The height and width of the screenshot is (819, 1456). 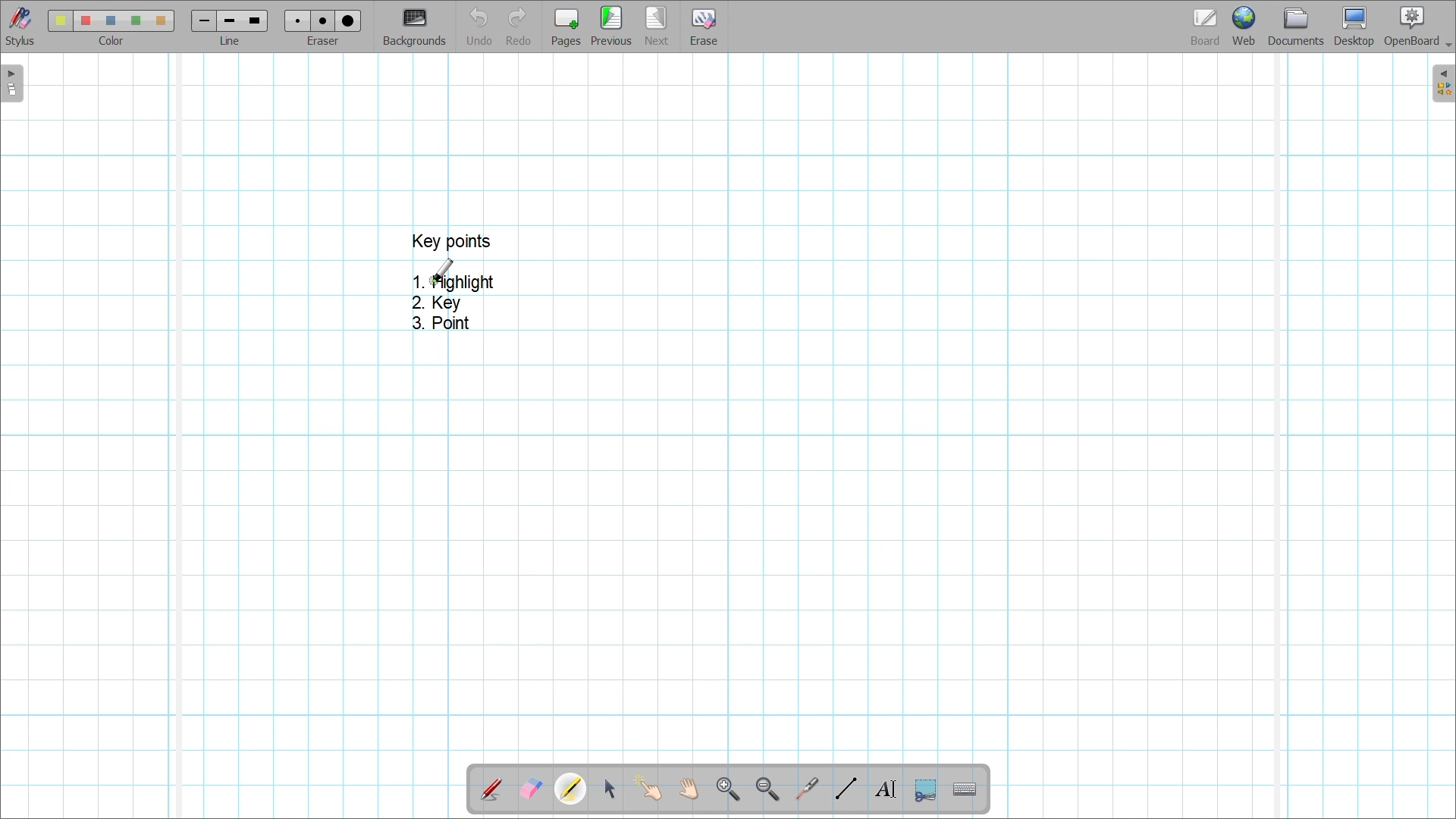 What do you see at coordinates (566, 27) in the screenshot?
I see `Add page` at bounding box center [566, 27].